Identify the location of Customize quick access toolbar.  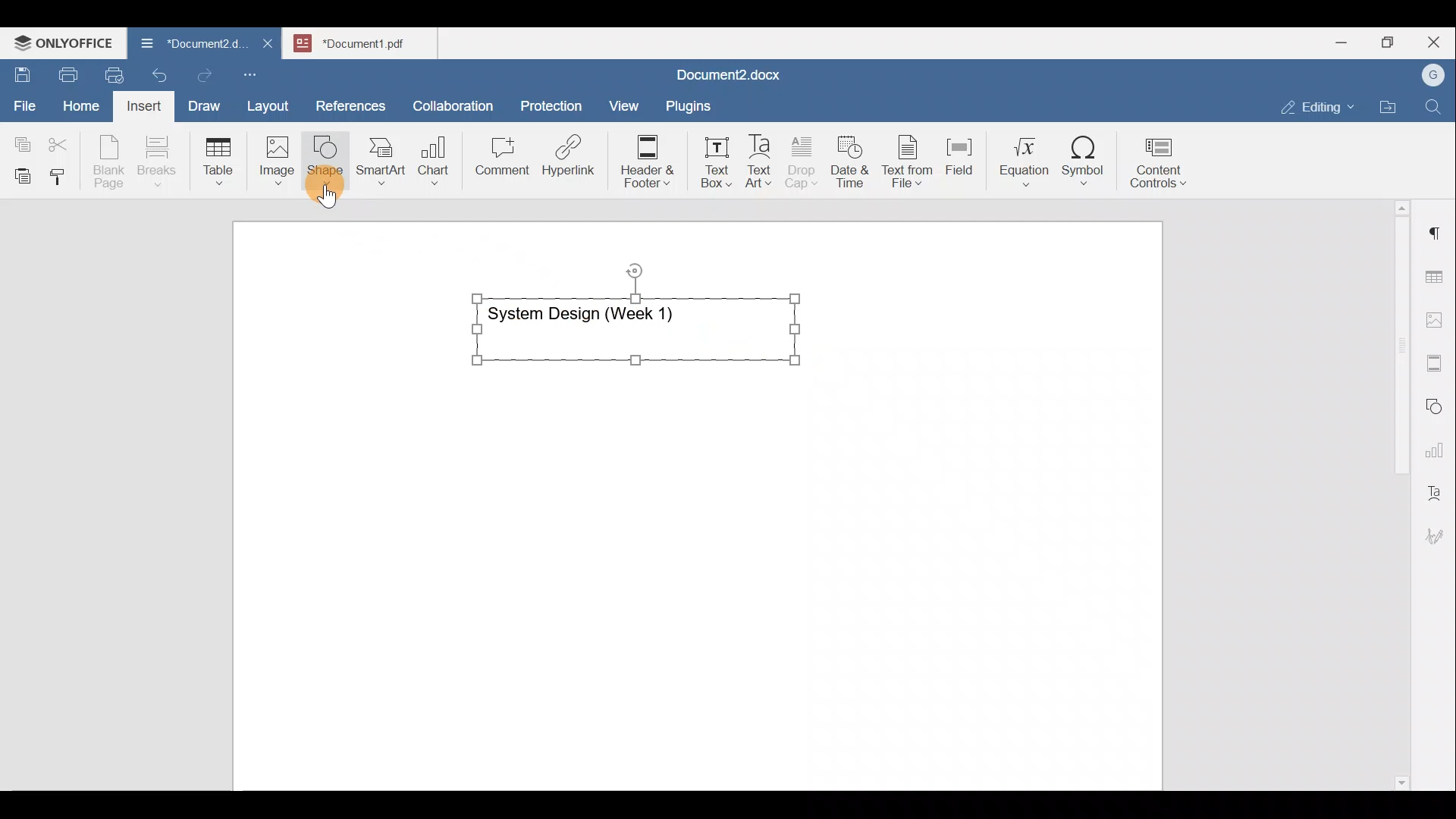
(256, 72).